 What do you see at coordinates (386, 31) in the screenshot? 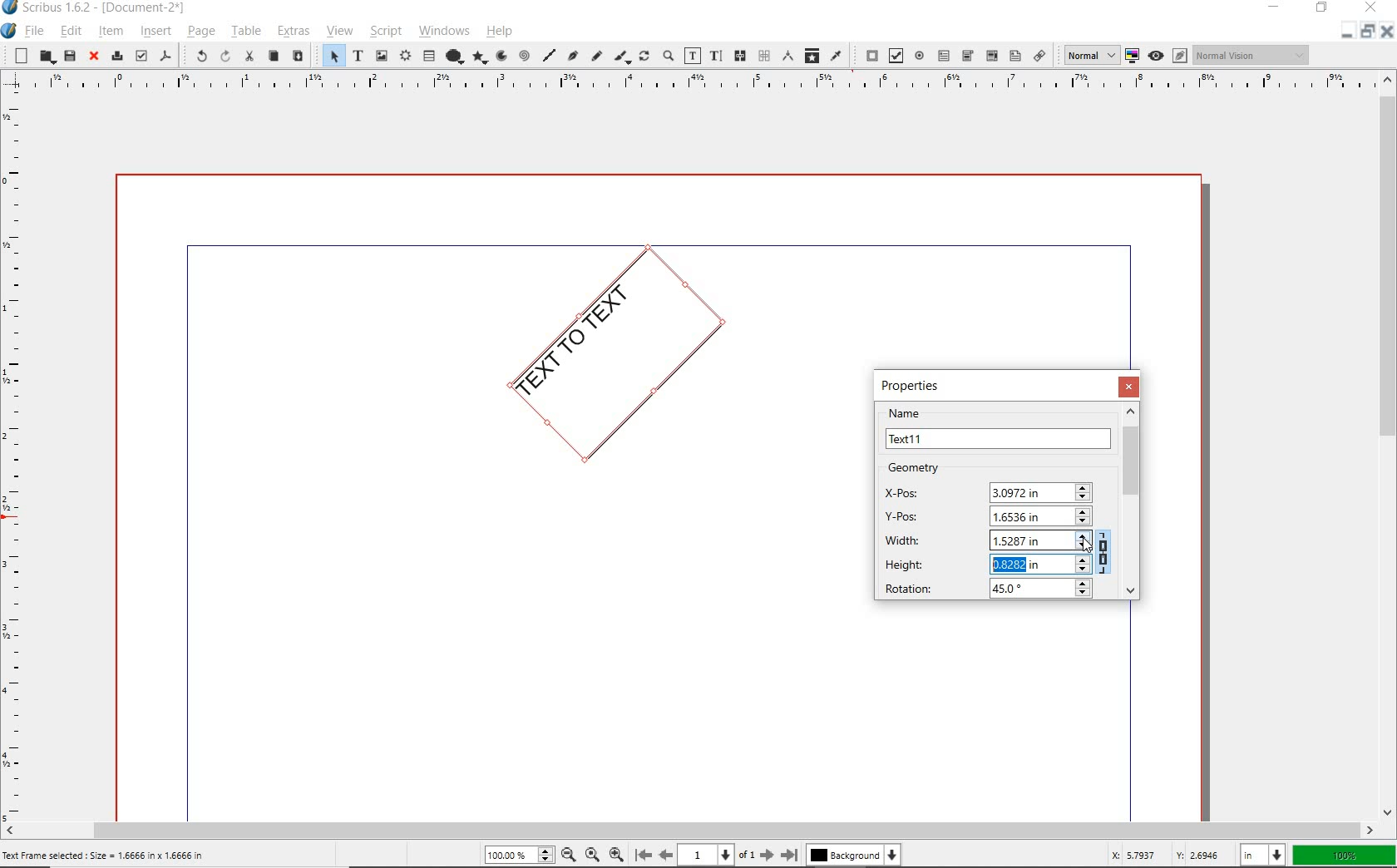
I see `script` at bounding box center [386, 31].